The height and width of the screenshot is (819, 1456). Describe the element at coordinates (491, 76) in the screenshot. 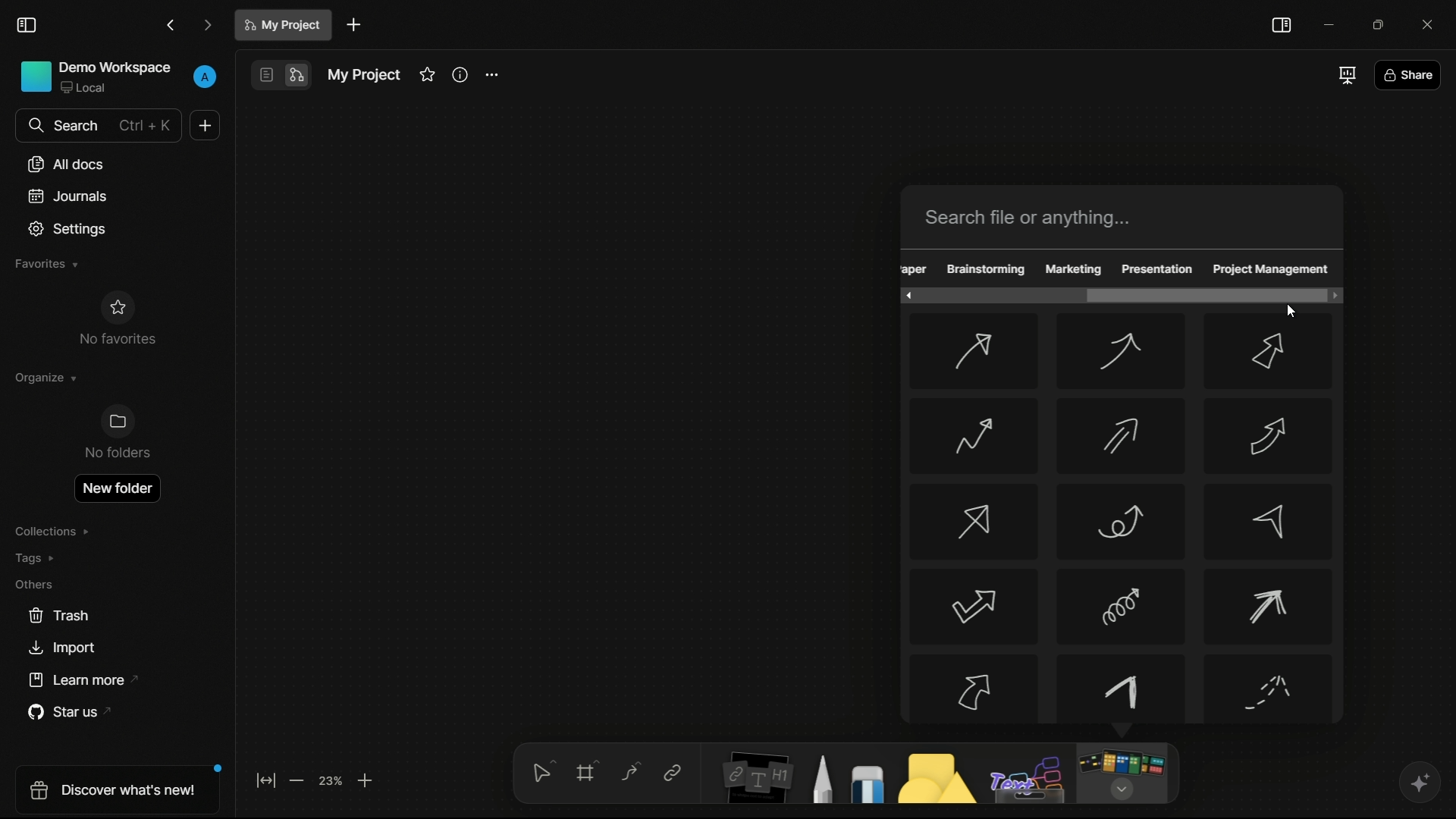

I see `settings` at that location.